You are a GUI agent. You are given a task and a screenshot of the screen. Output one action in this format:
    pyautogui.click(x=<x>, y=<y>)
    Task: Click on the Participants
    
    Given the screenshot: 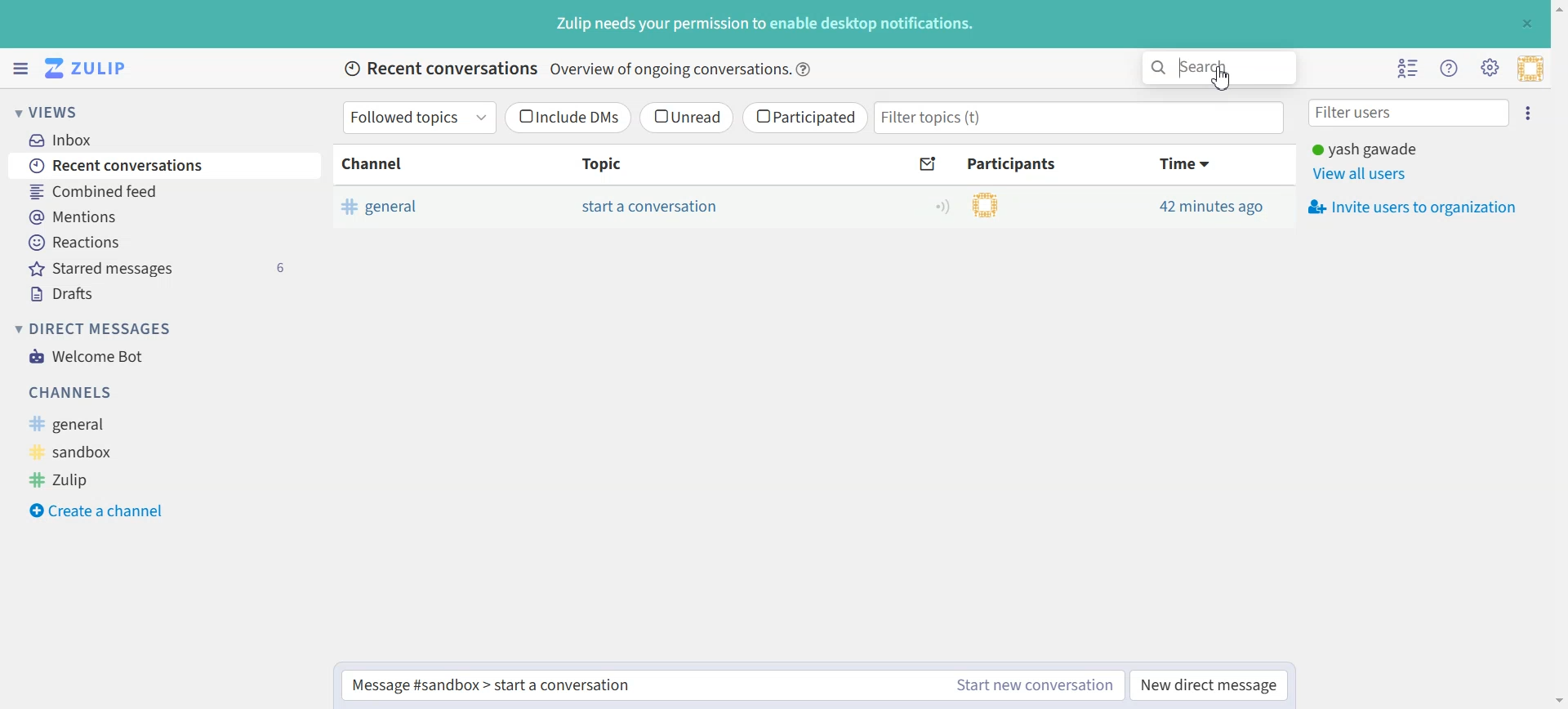 What is the action you would take?
    pyautogui.click(x=1014, y=163)
    